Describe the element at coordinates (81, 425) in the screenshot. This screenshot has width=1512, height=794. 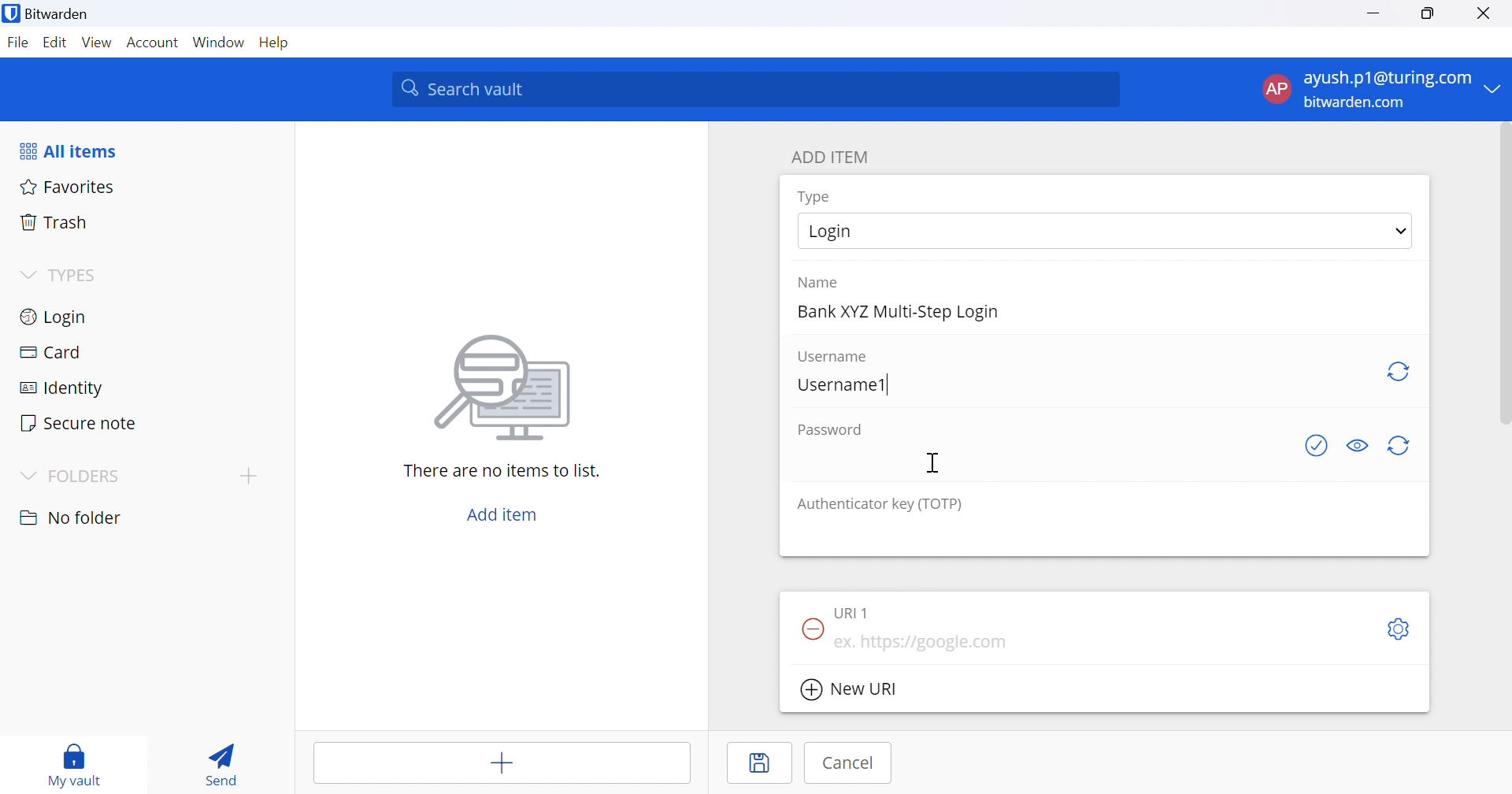
I see `Secure note` at that location.